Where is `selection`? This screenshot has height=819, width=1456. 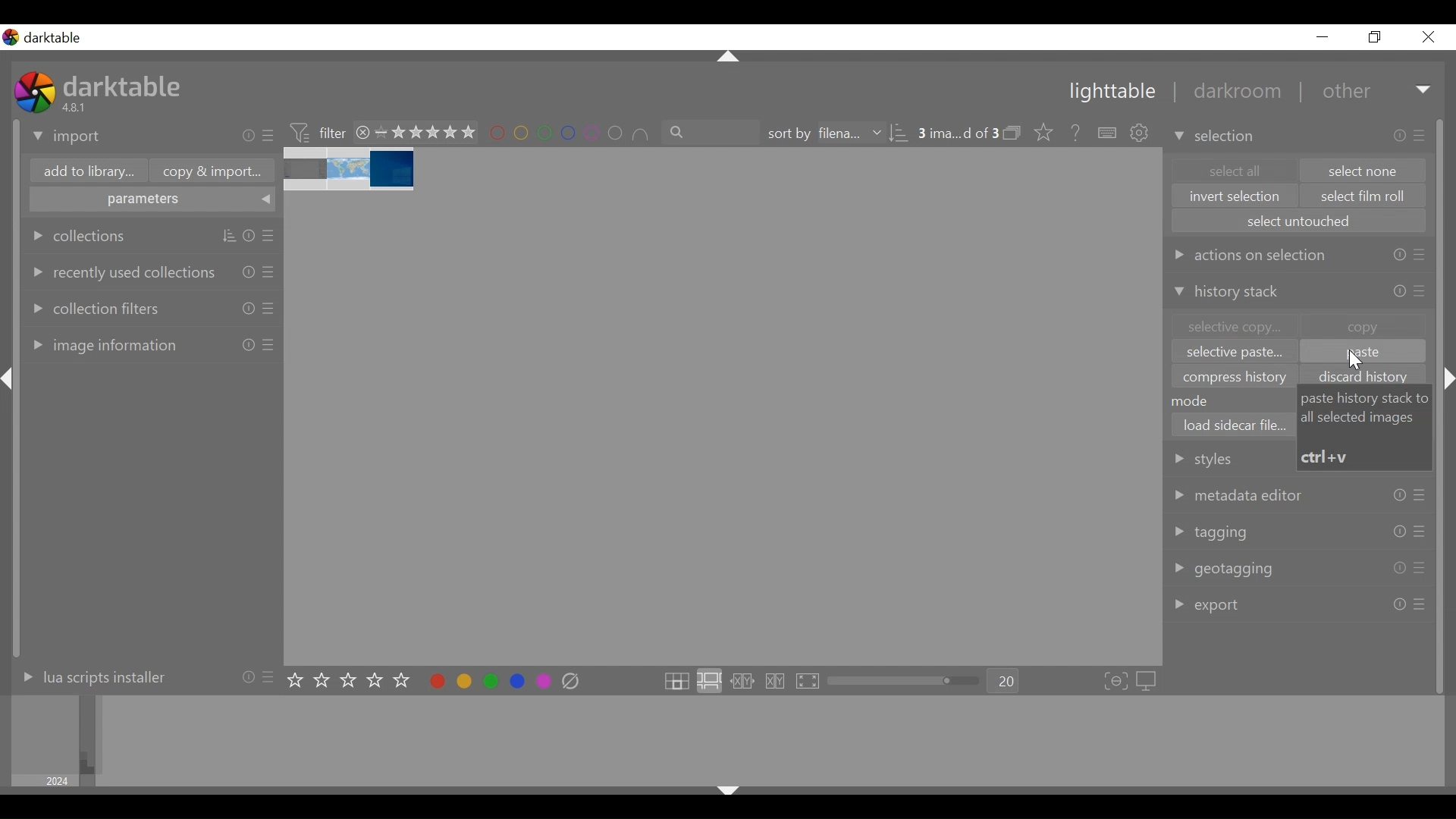
selection is located at coordinates (1216, 136).